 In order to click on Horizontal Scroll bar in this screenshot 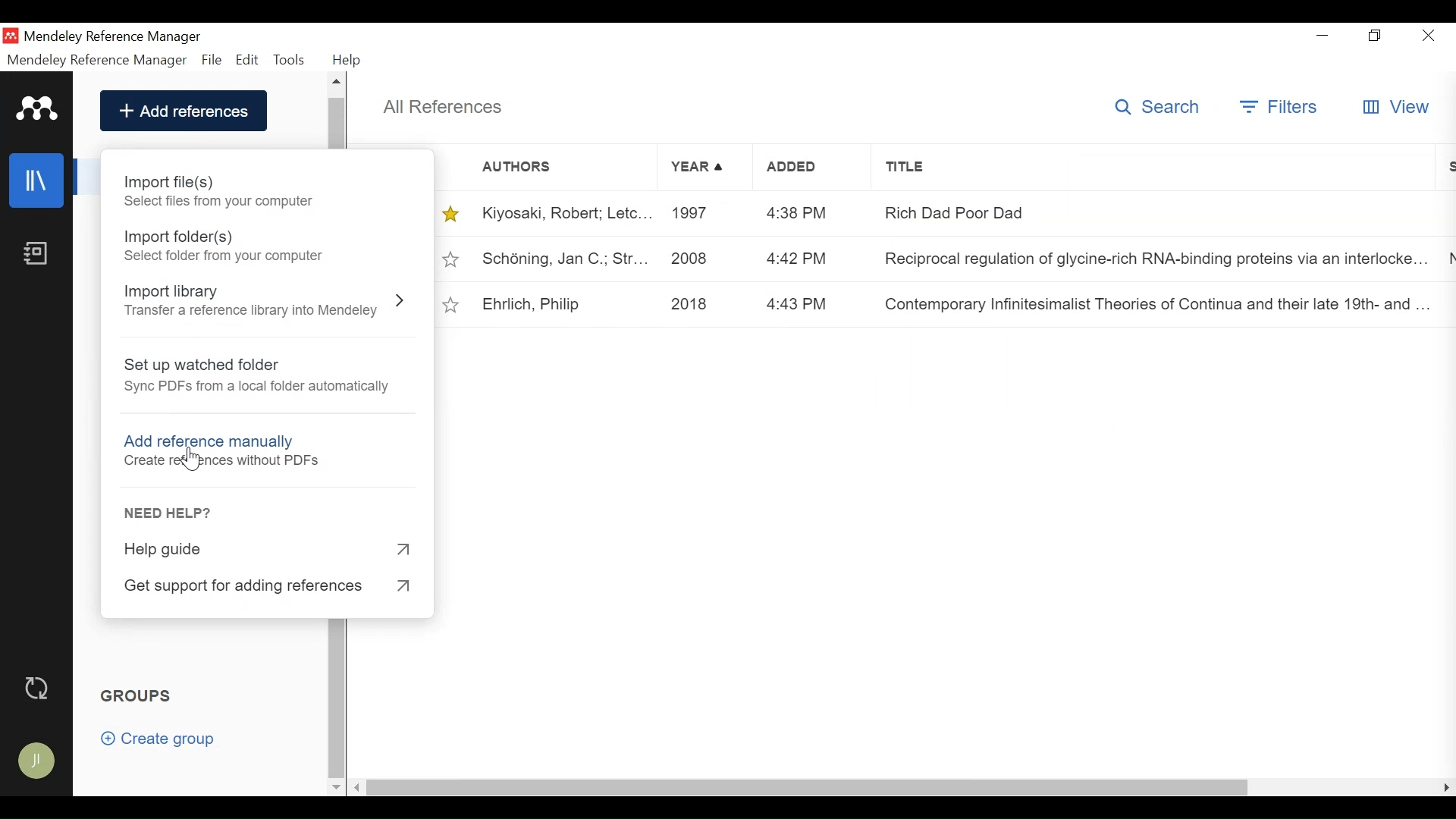, I will do `click(808, 788)`.